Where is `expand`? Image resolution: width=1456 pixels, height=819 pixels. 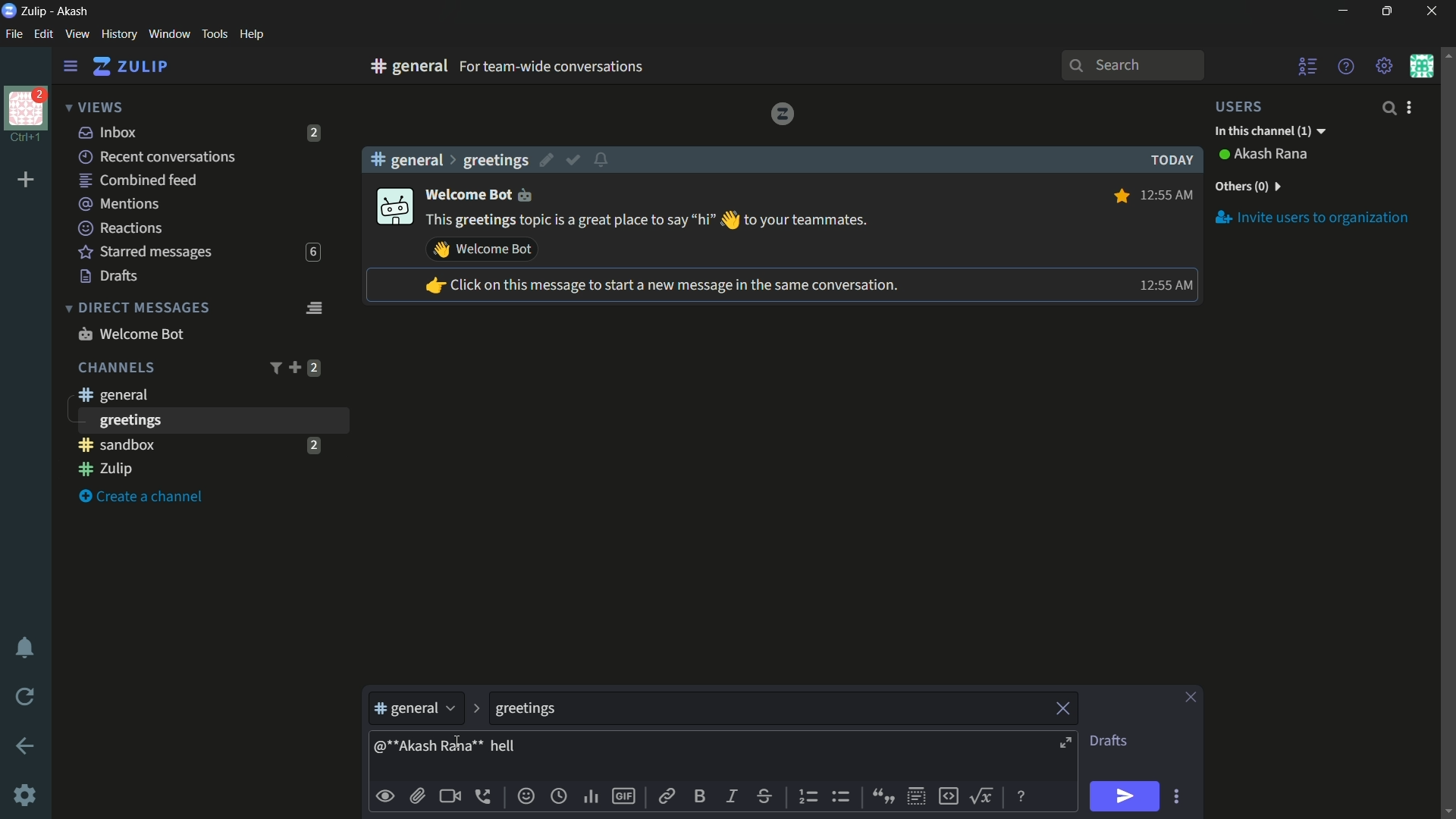 expand is located at coordinates (1068, 745).